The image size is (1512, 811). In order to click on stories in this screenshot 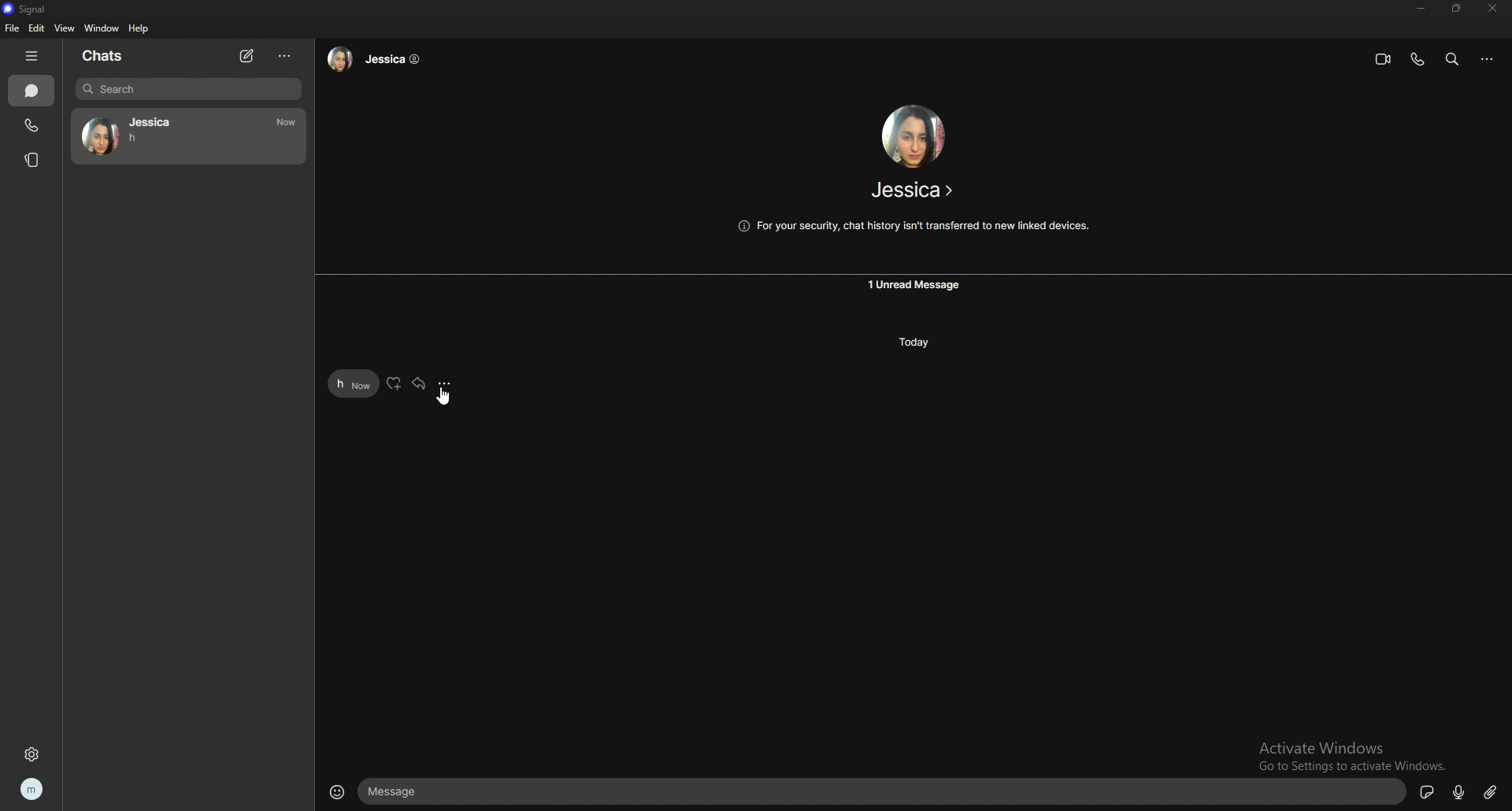, I will do `click(34, 161)`.